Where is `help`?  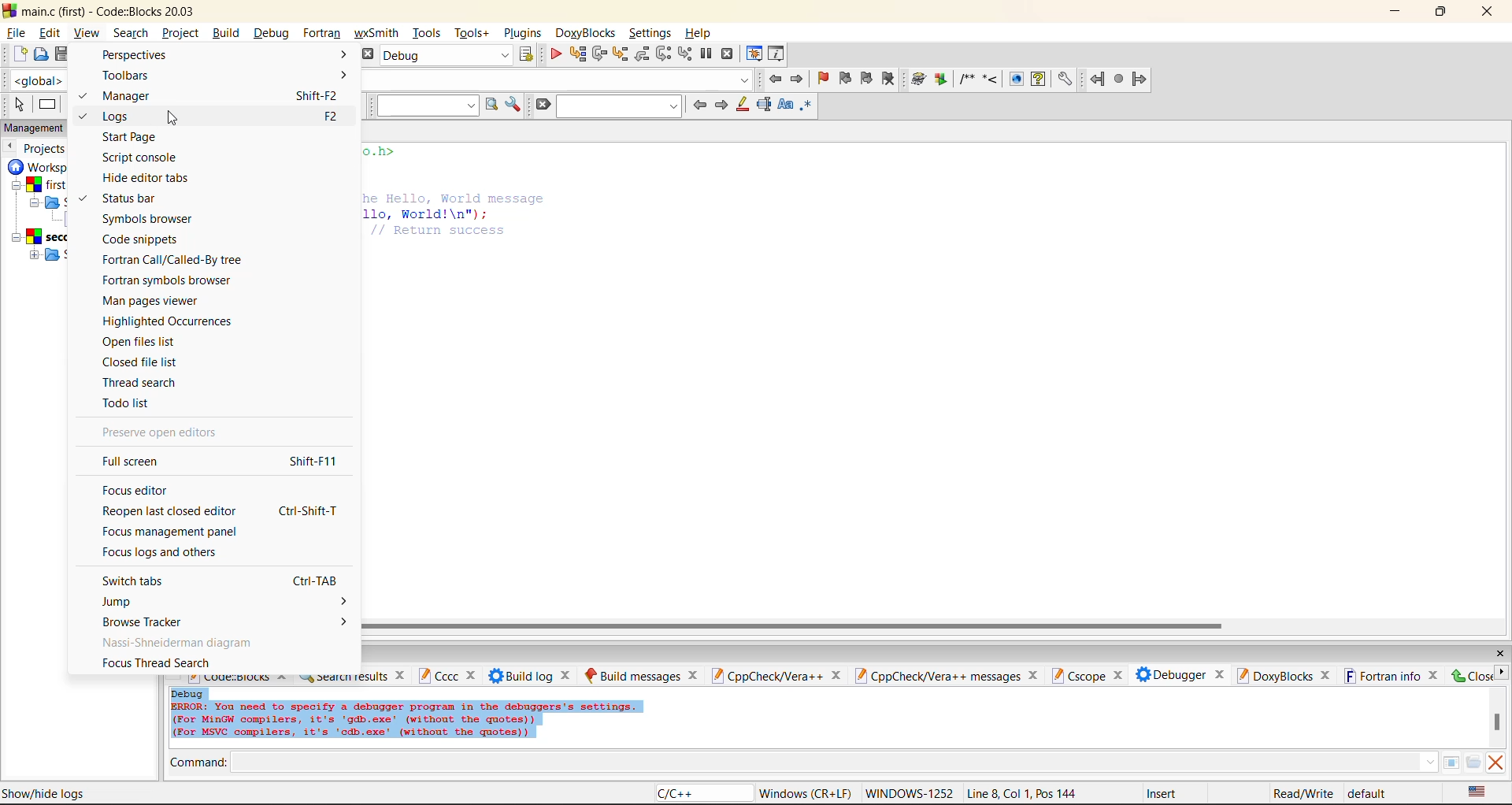
help is located at coordinates (699, 33).